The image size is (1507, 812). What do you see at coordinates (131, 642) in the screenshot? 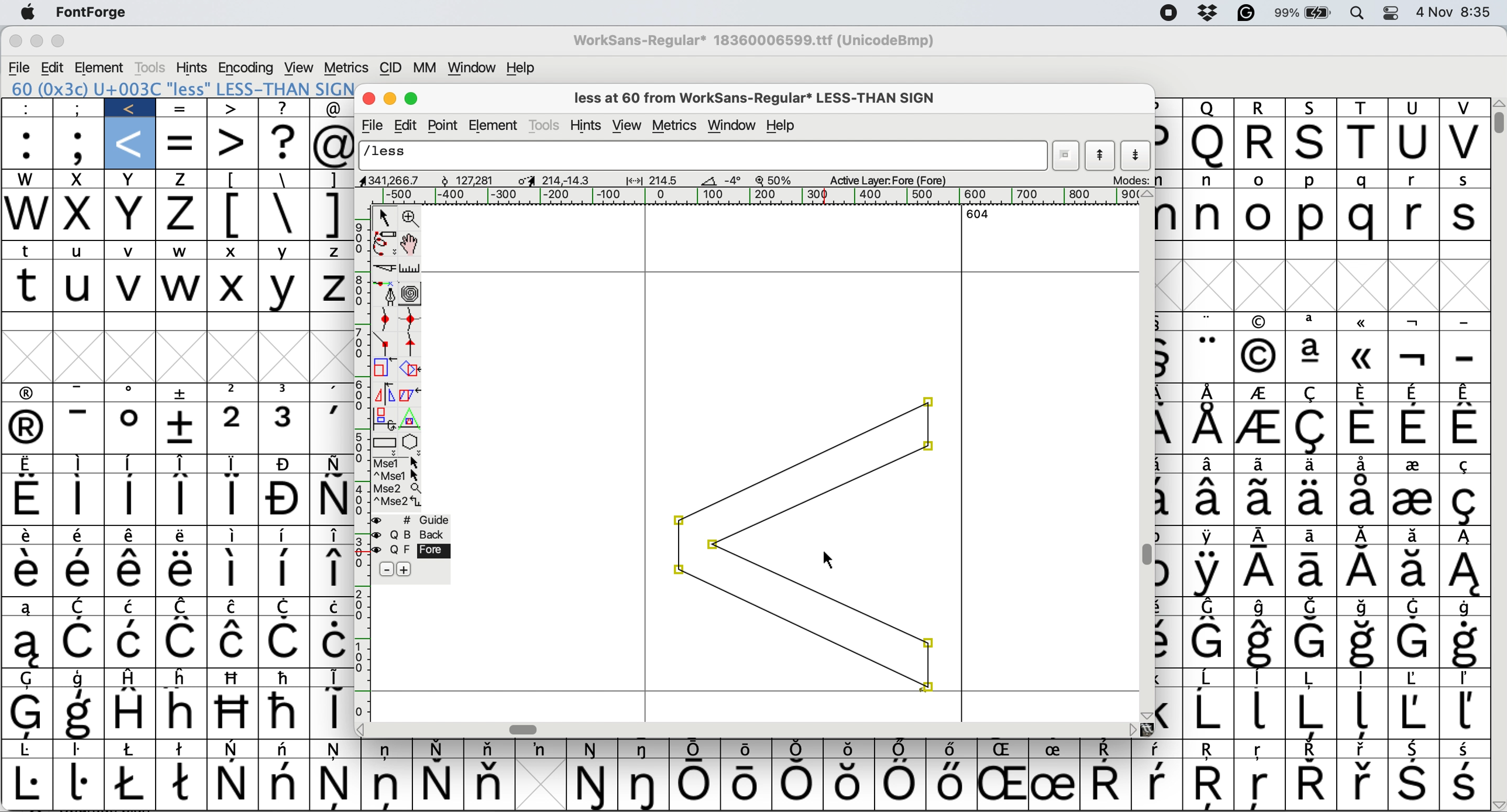
I see `Symbol` at bounding box center [131, 642].